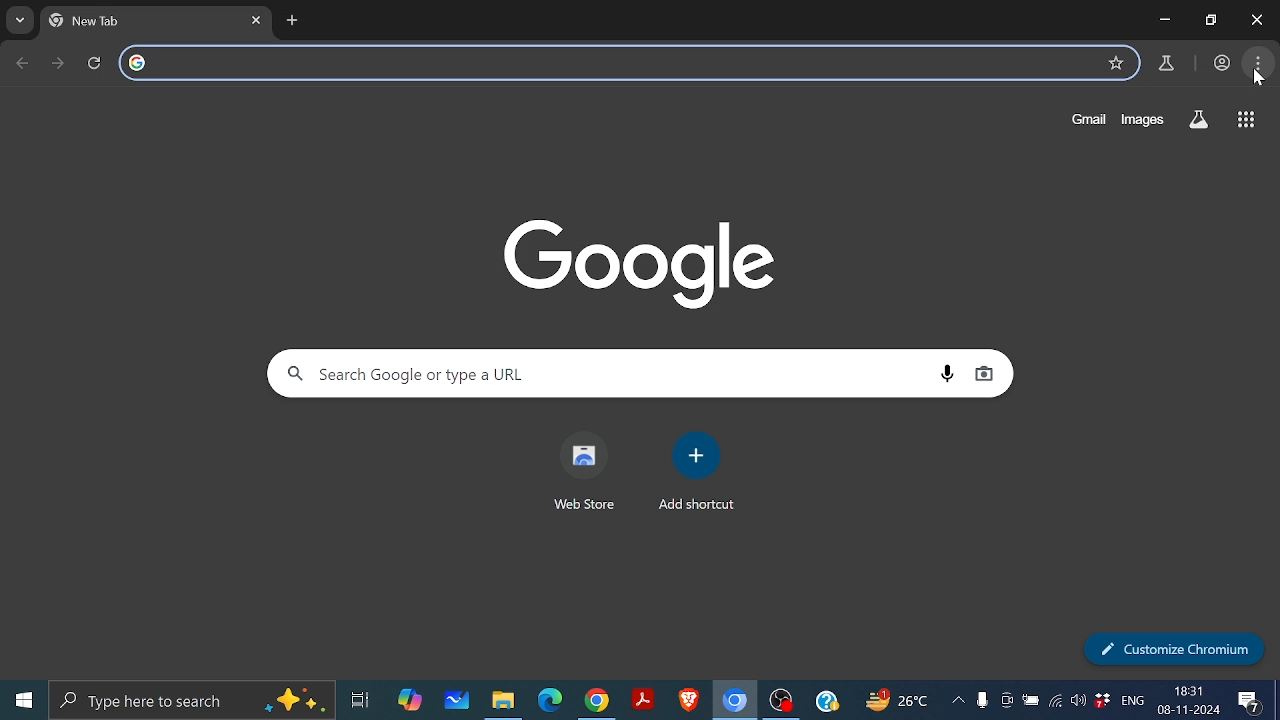 The height and width of the screenshot is (720, 1280). Describe the element at coordinates (1258, 78) in the screenshot. I see `cursor` at that location.